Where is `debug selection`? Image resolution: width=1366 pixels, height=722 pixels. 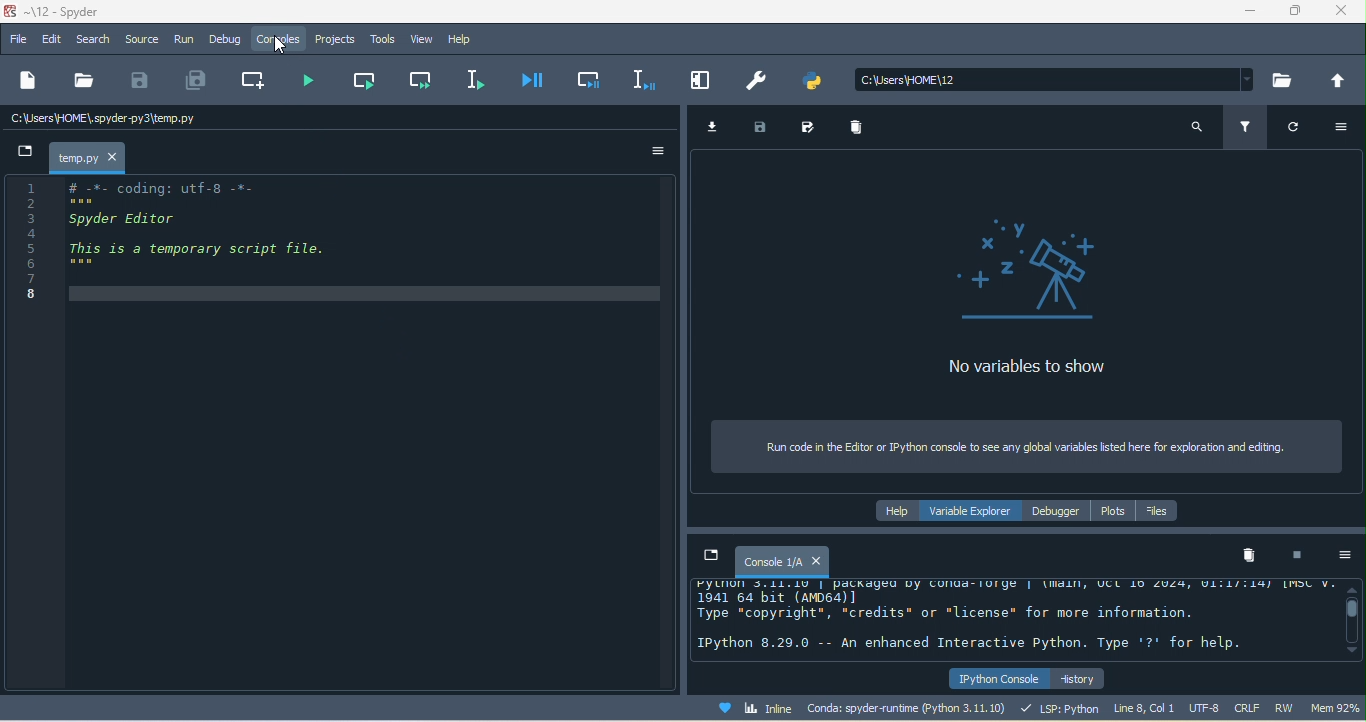
debug selection is located at coordinates (645, 81).